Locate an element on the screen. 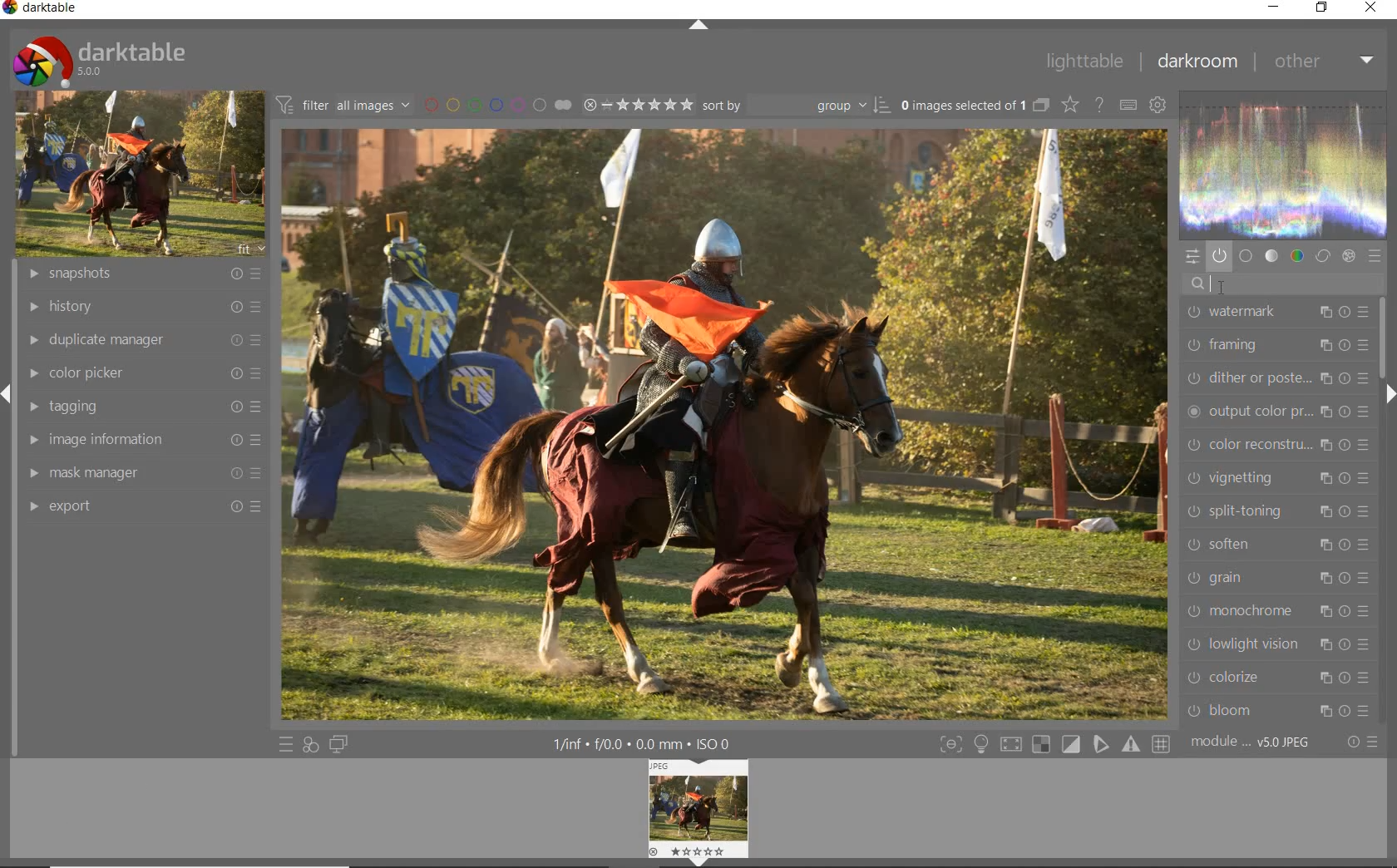 The image size is (1397, 868). output color preset is located at coordinates (1277, 408).